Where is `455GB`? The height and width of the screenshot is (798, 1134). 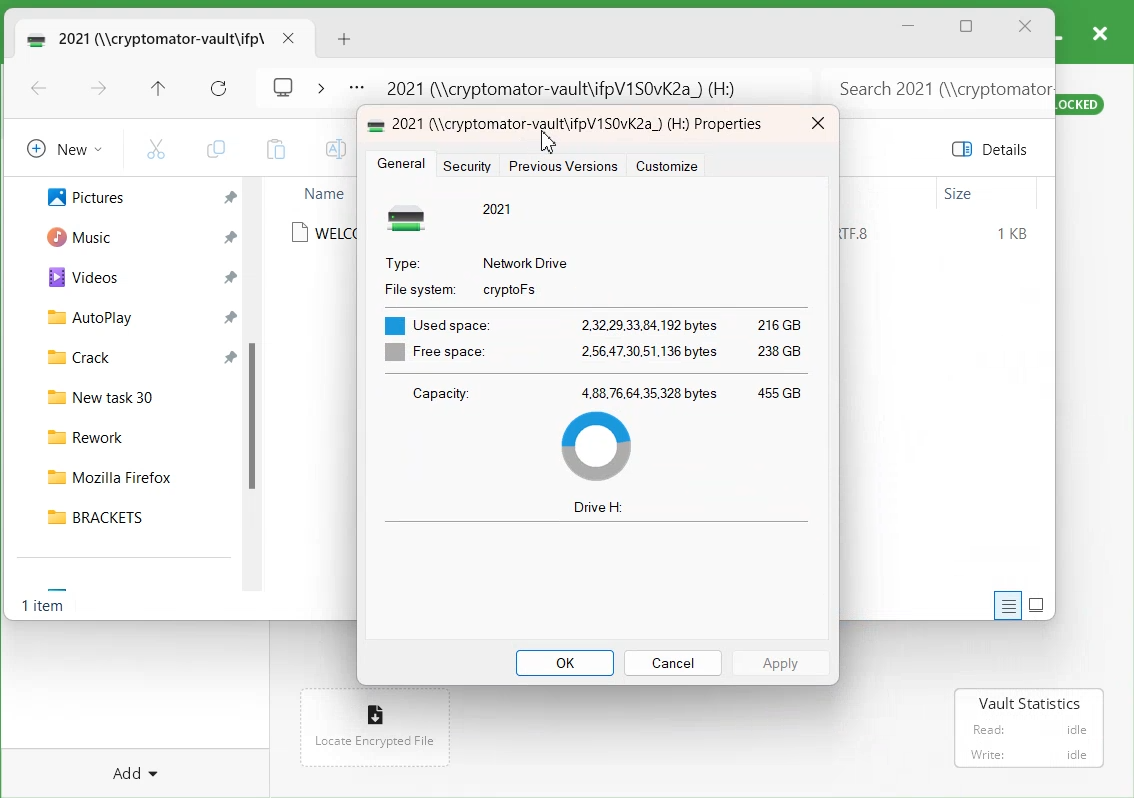 455GB is located at coordinates (779, 390).